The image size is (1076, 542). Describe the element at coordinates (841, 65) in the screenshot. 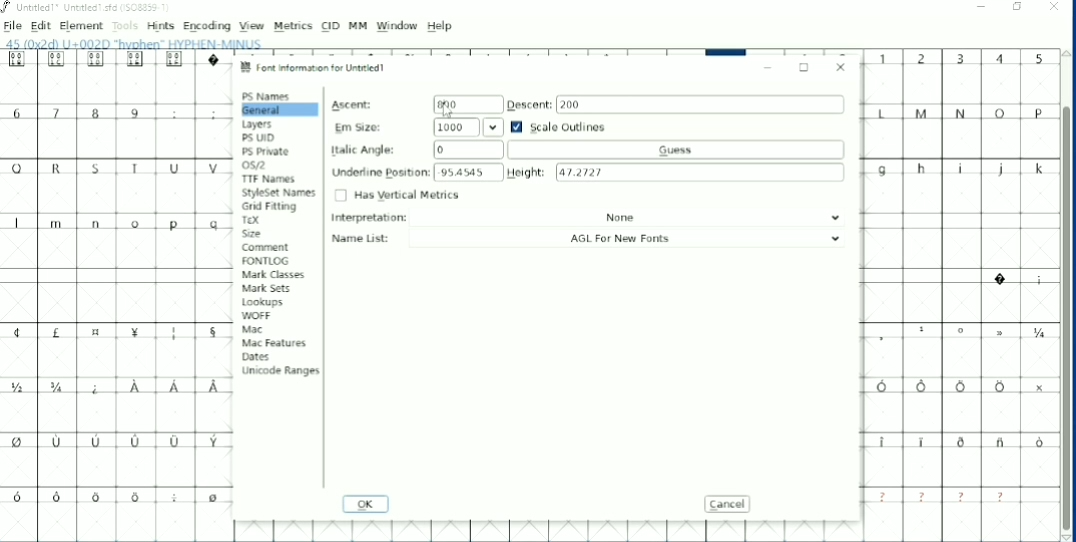

I see `Close` at that location.